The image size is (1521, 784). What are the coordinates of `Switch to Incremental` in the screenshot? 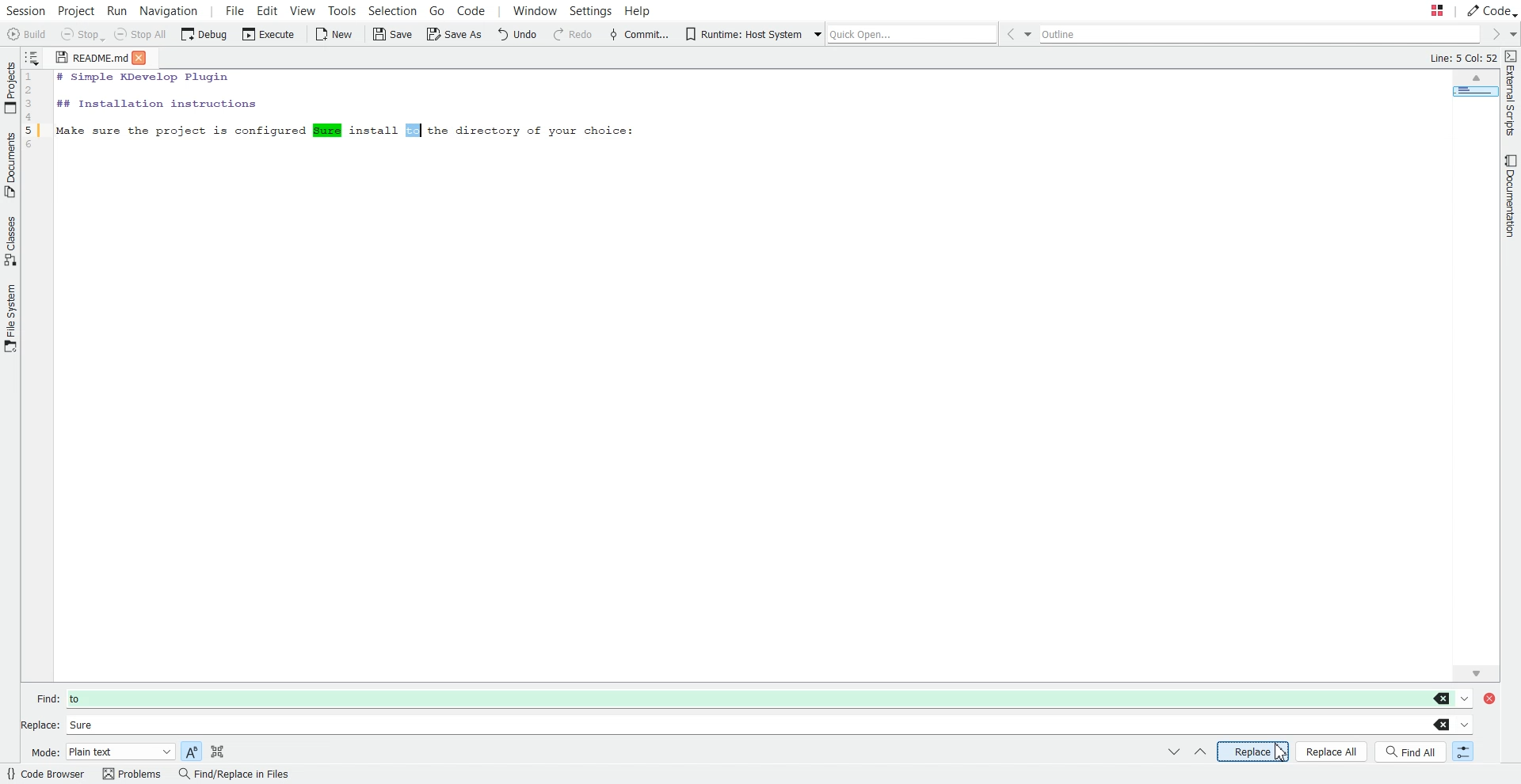 It's located at (1460, 752).